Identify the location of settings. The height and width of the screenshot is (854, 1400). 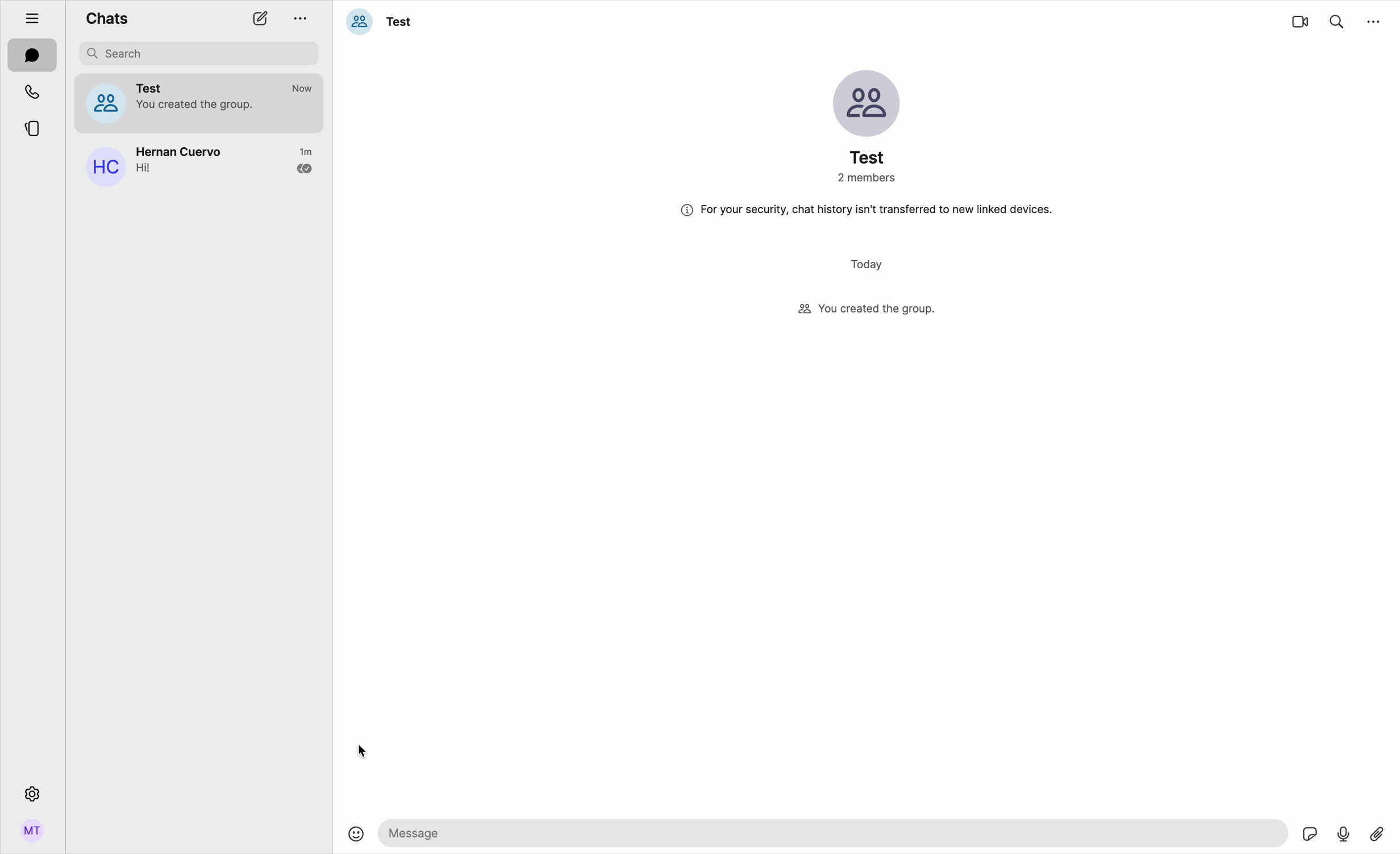
(31, 793).